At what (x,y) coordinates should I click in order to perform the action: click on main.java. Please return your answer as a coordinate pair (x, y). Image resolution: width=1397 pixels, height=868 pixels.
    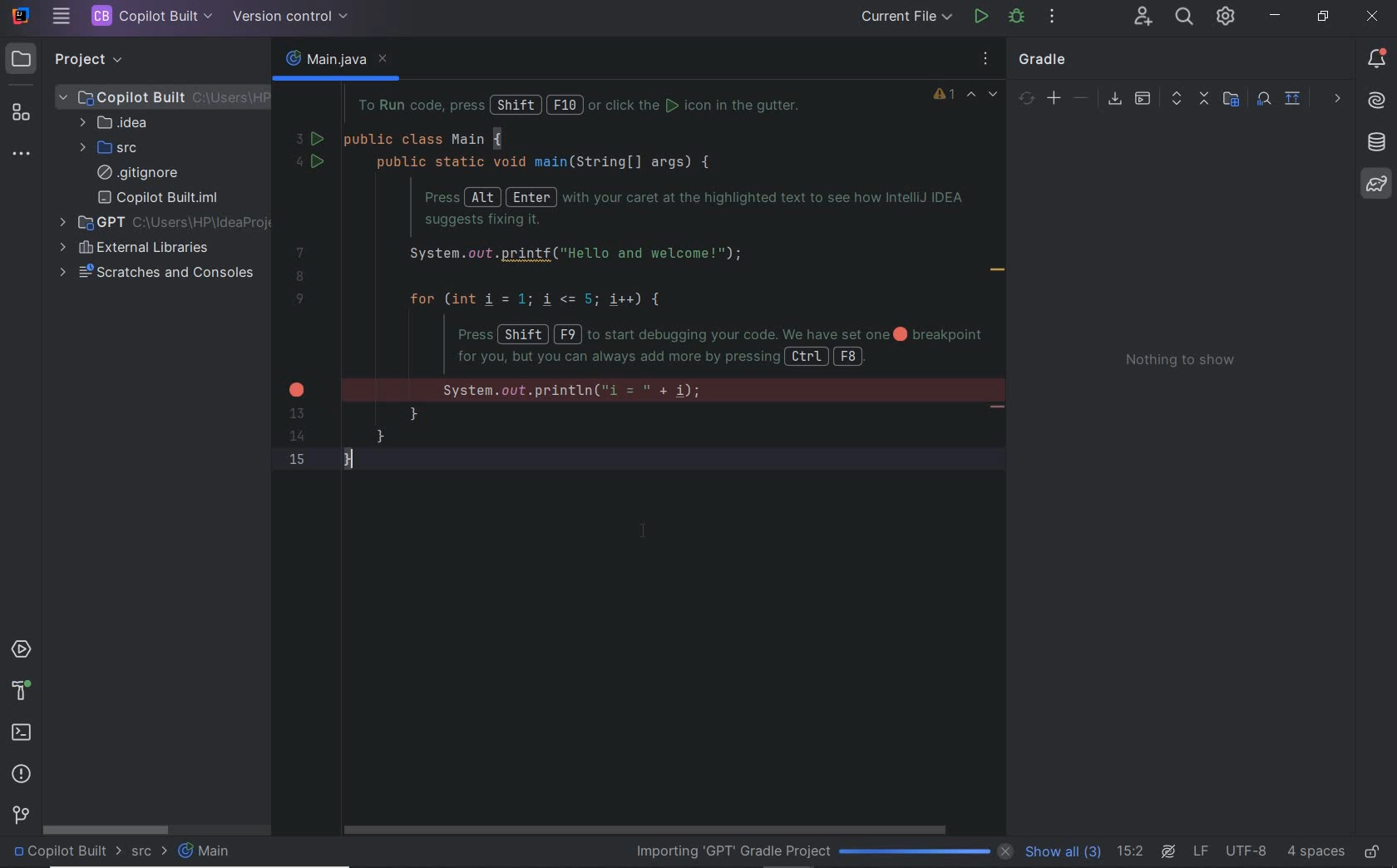
    Looking at the image, I should click on (334, 58).